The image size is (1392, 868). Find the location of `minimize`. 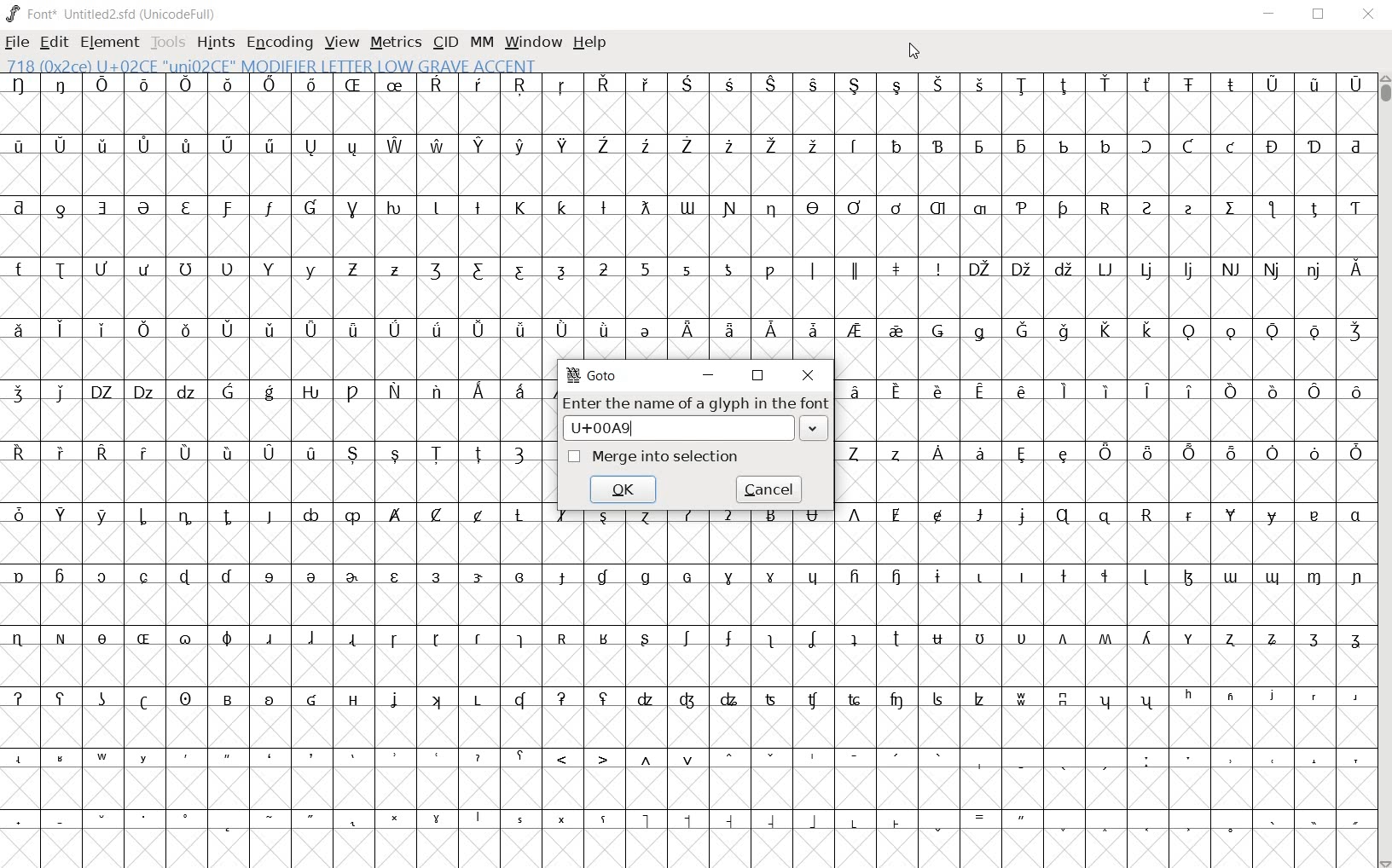

minimize is located at coordinates (710, 376).